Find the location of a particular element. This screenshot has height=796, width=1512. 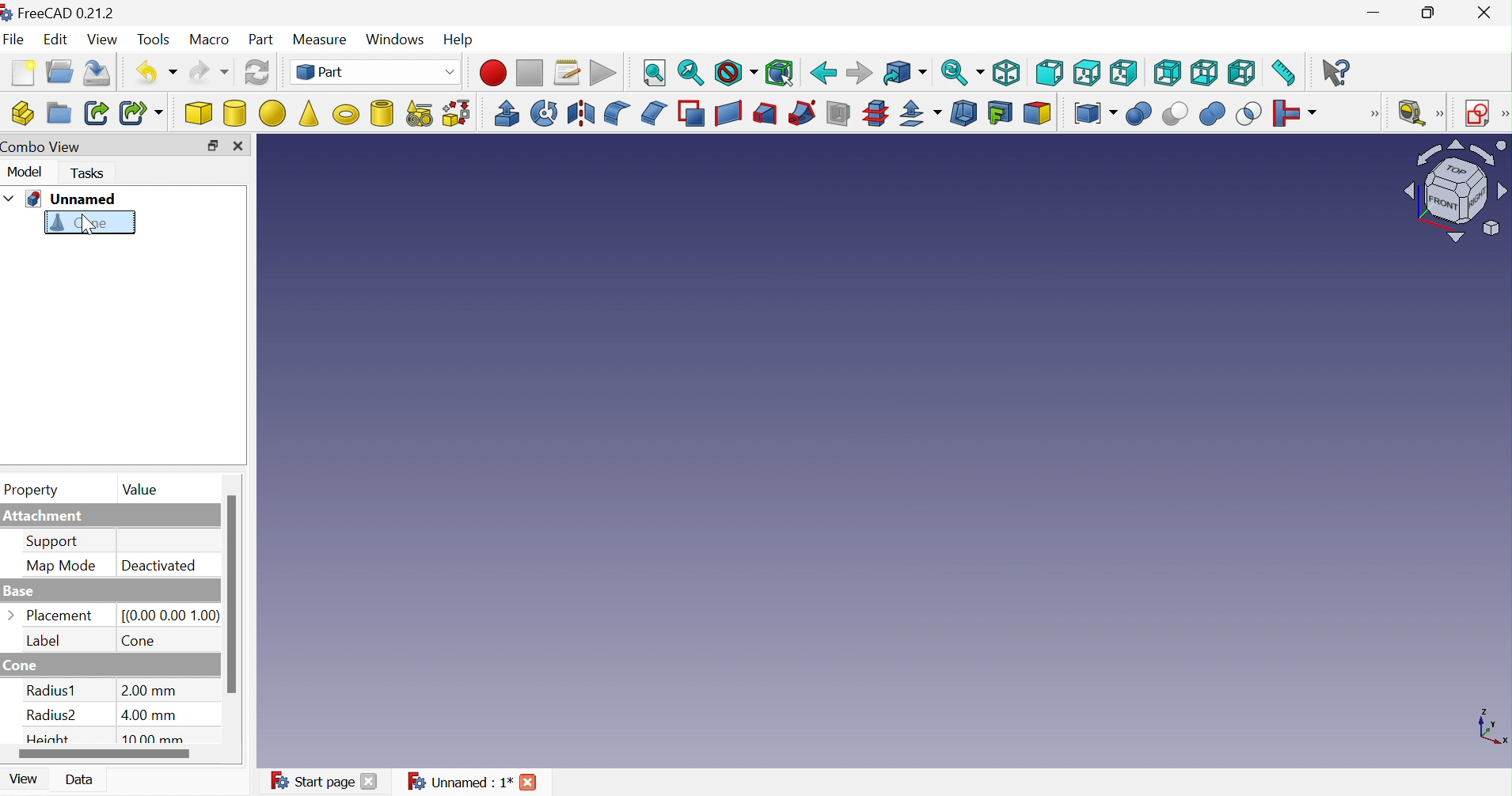

Thickness is located at coordinates (963, 114).